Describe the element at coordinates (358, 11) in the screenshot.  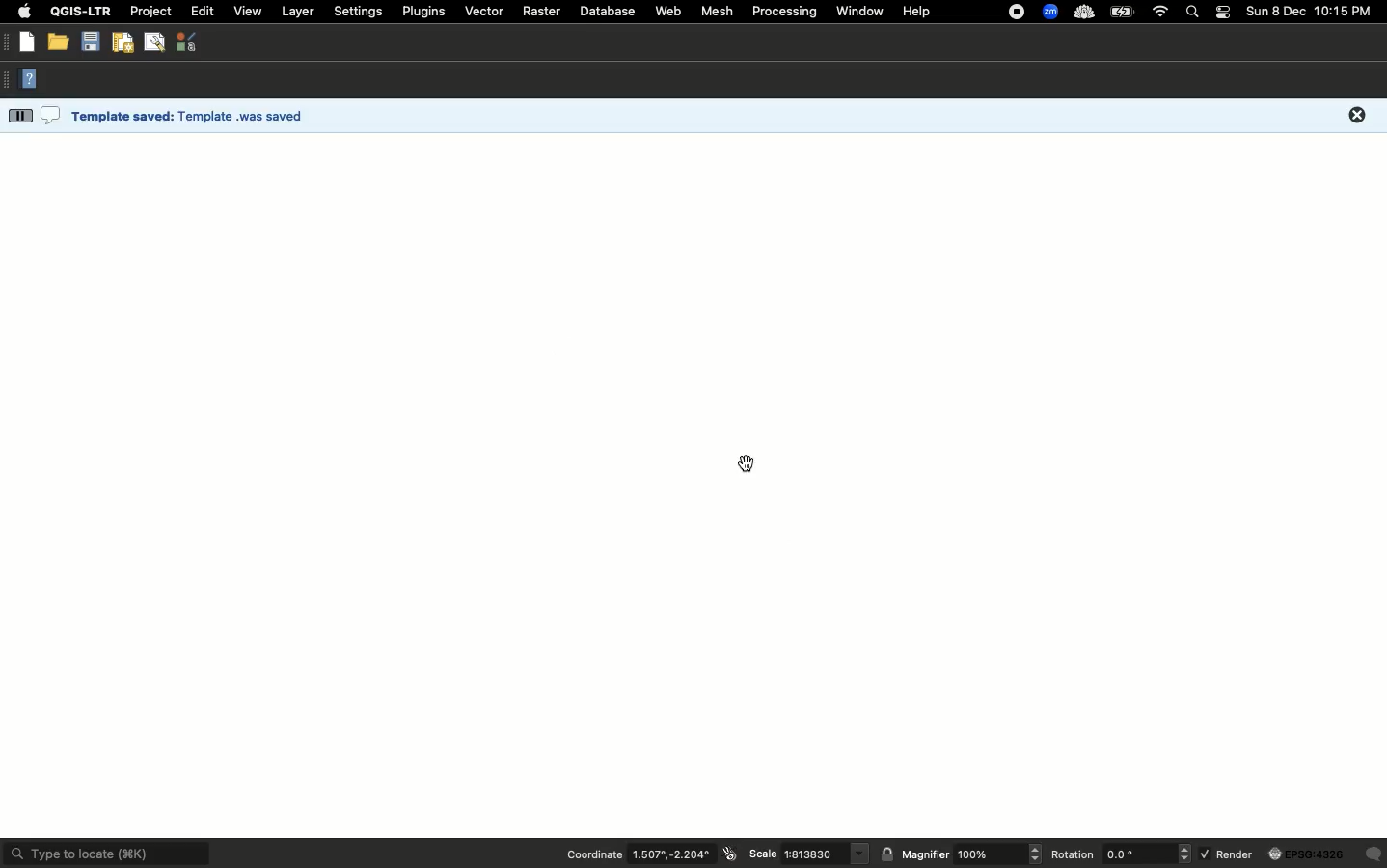
I see `Settings` at that location.